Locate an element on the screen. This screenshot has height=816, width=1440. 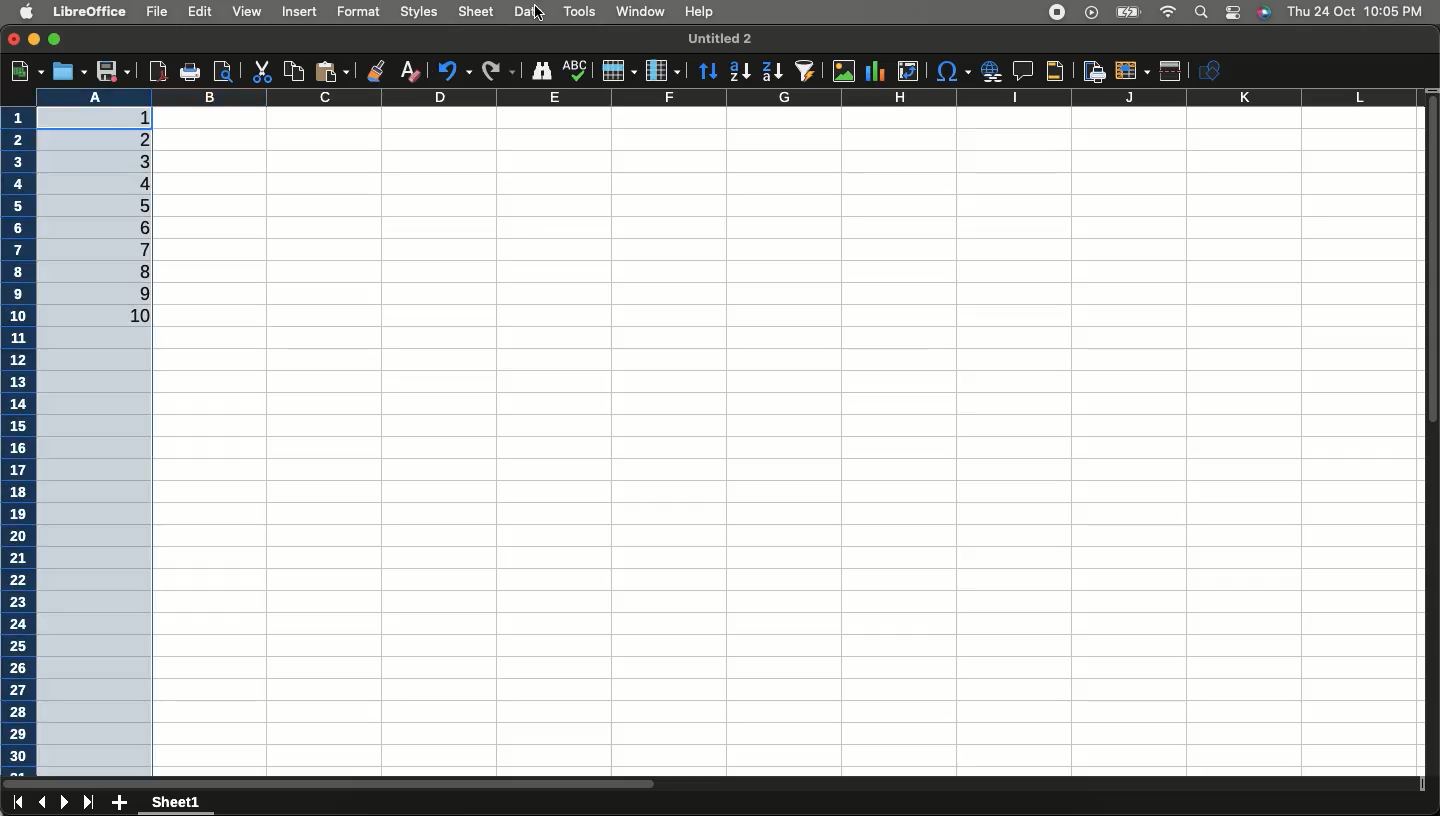
Internet is located at coordinates (1168, 13).